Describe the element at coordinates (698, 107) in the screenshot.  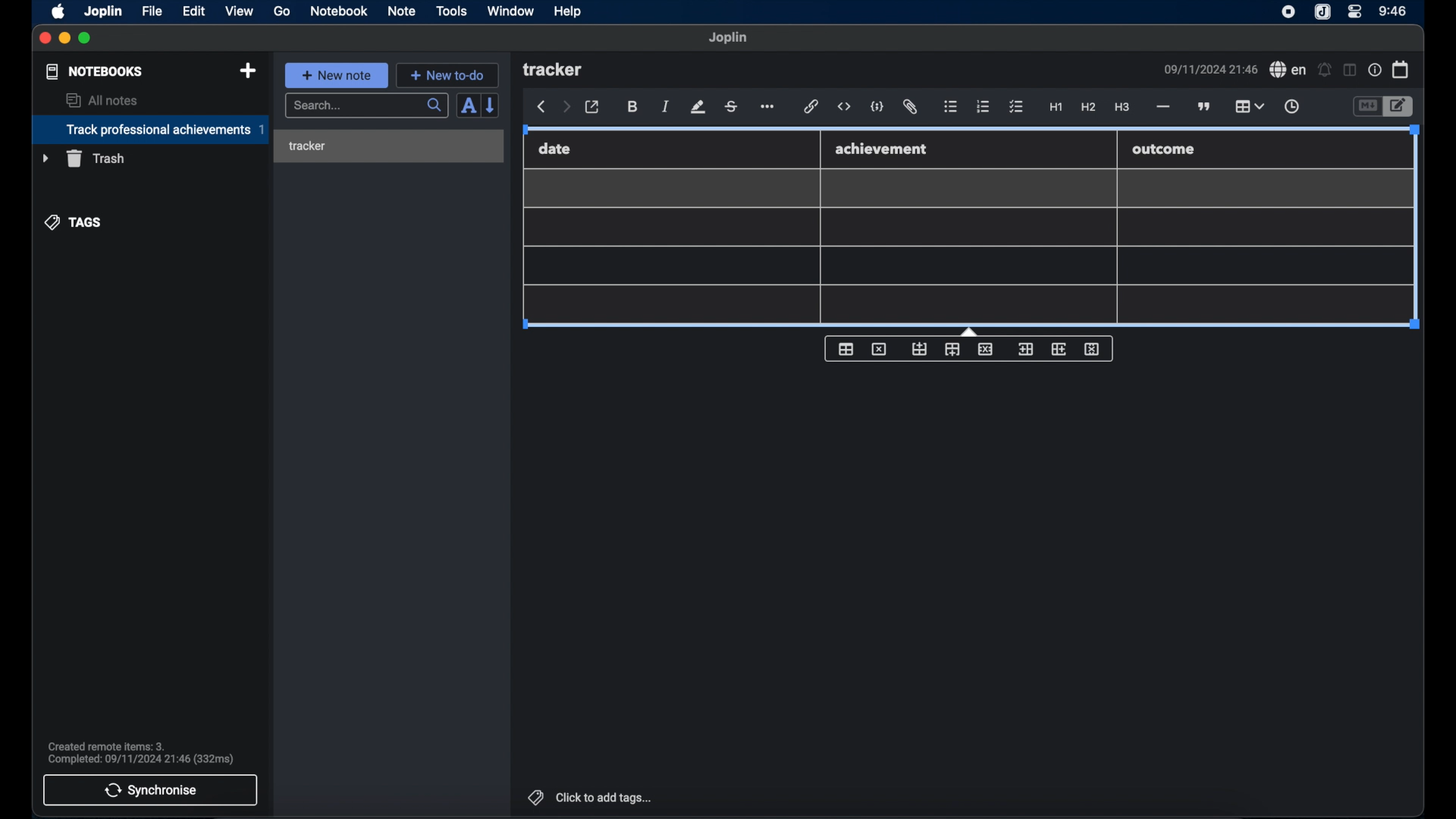
I see `highlight` at that location.